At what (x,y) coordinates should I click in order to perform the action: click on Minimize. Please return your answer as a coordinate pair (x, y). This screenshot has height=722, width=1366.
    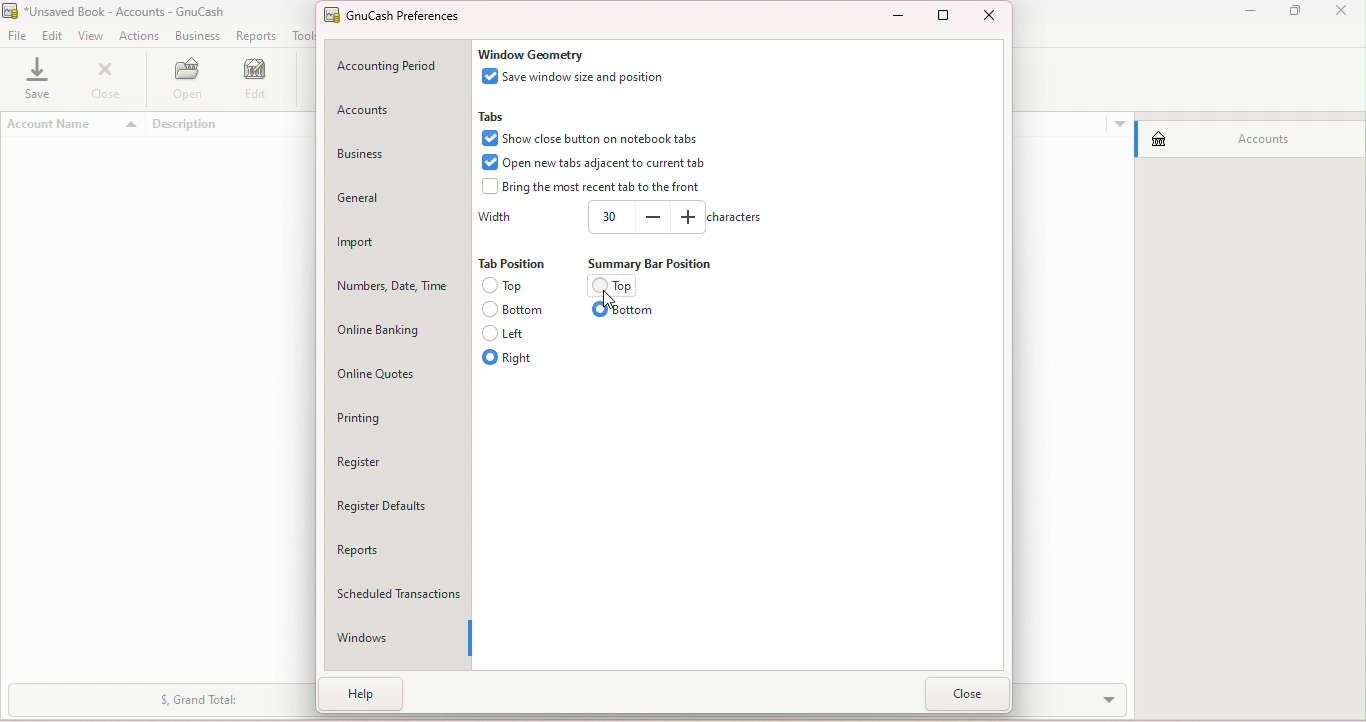
    Looking at the image, I should click on (894, 17).